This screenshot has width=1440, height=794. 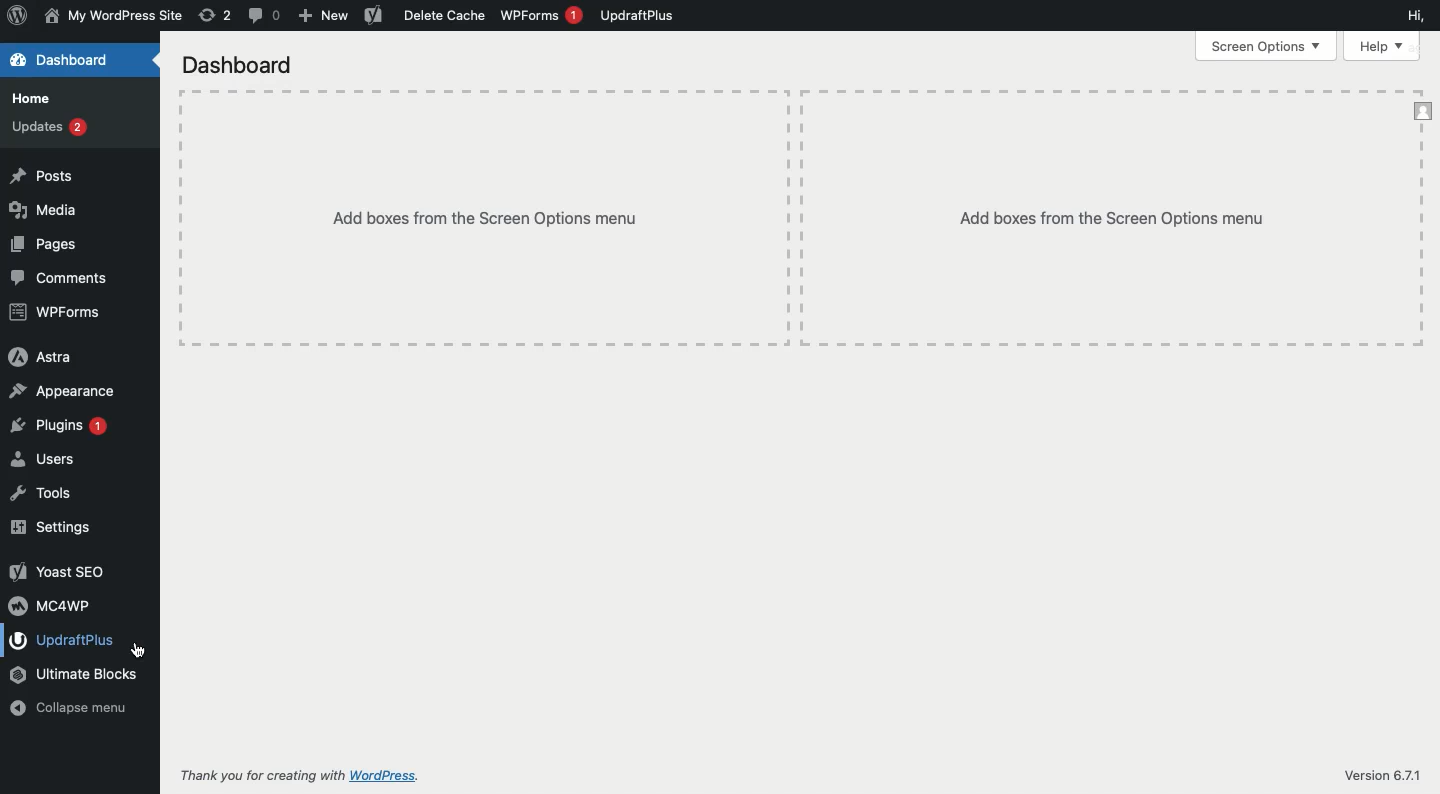 I want to click on Updates , so click(x=48, y=125).